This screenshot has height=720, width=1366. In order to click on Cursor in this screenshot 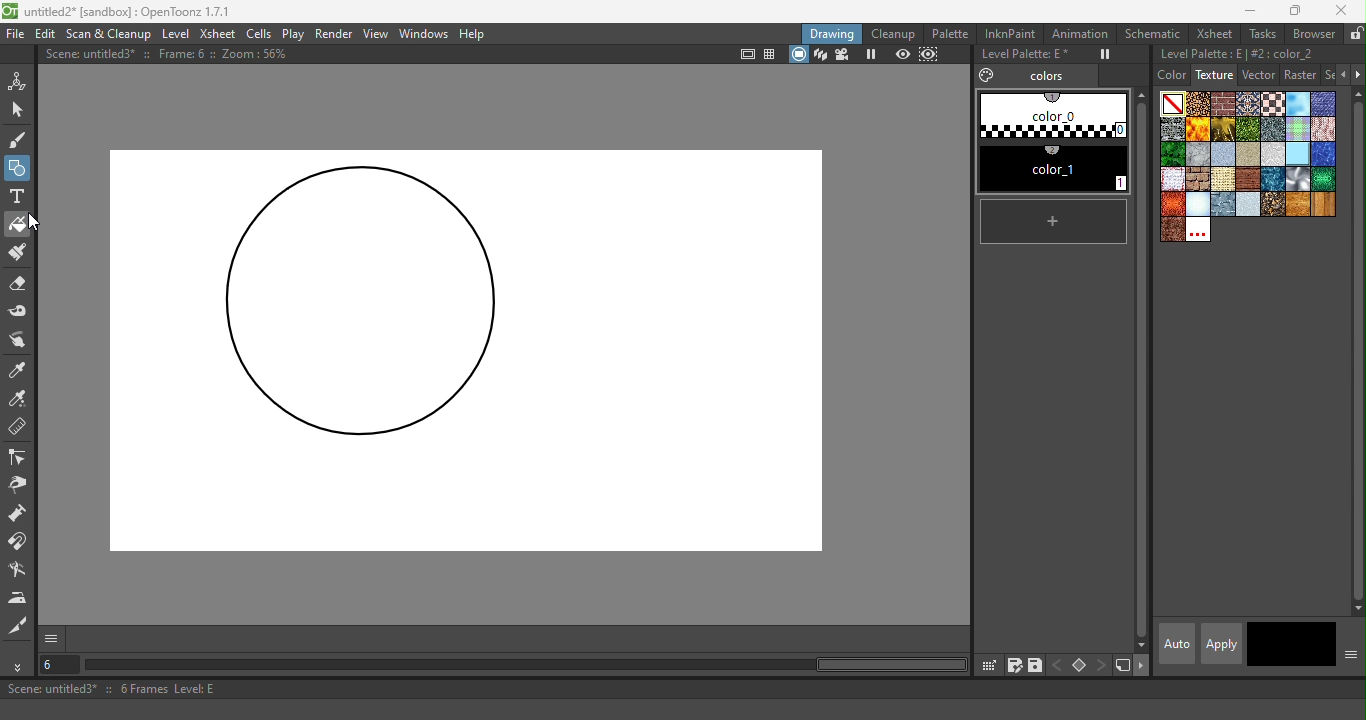, I will do `click(37, 225)`.